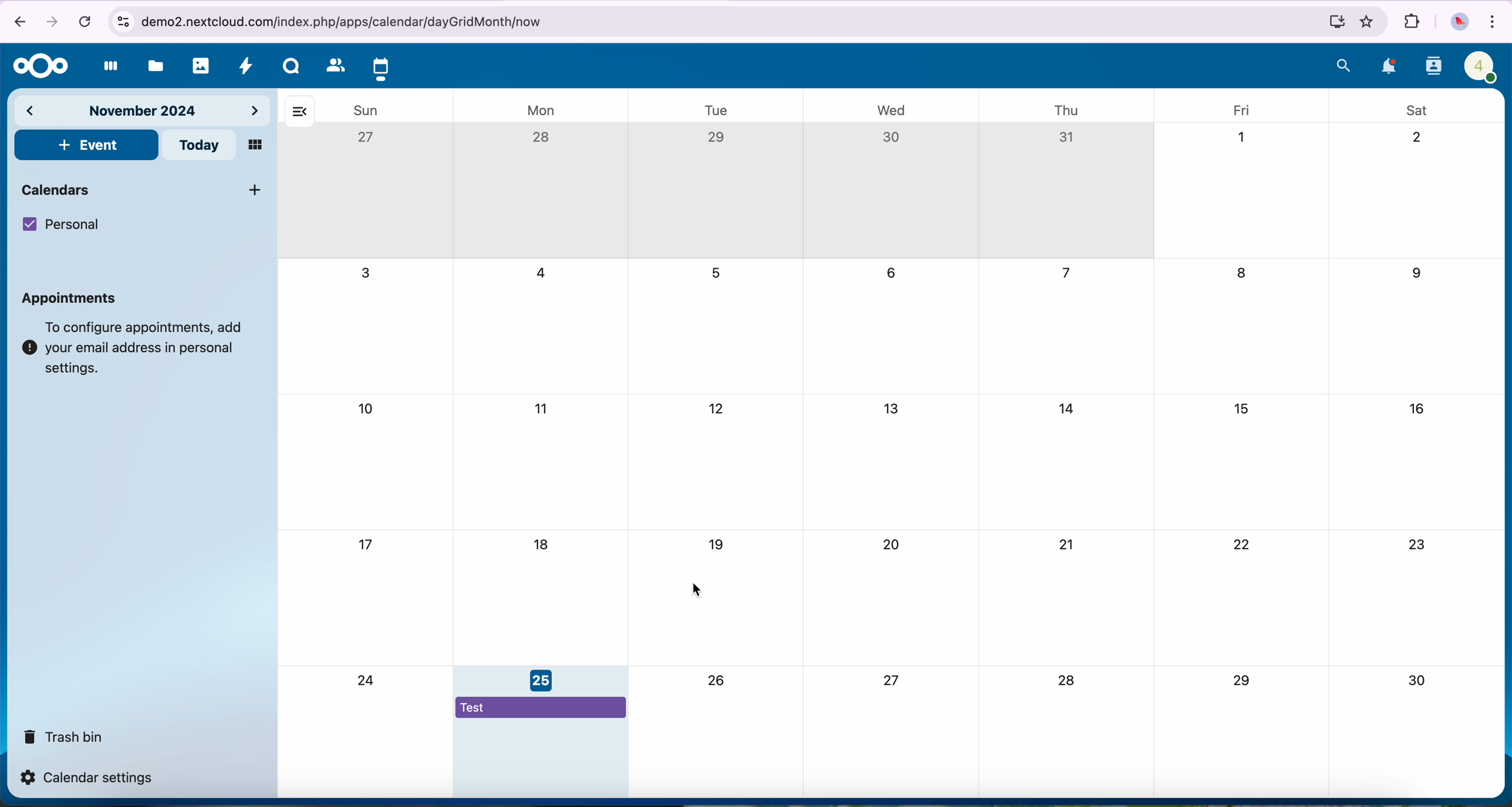 The image size is (1512, 807). I want to click on cancel, so click(84, 23).